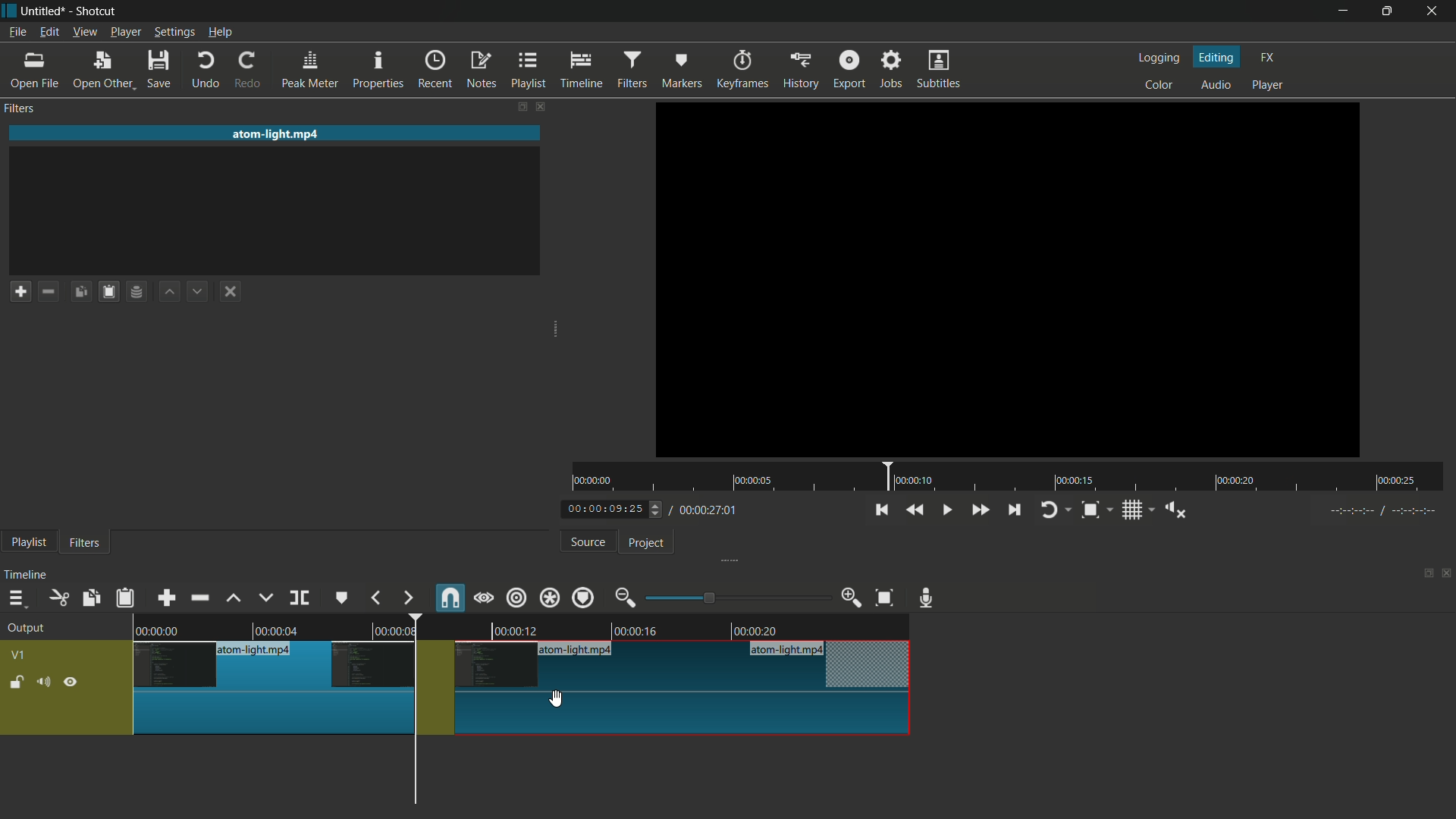 This screenshot has height=819, width=1456. I want to click on player, so click(1270, 87).